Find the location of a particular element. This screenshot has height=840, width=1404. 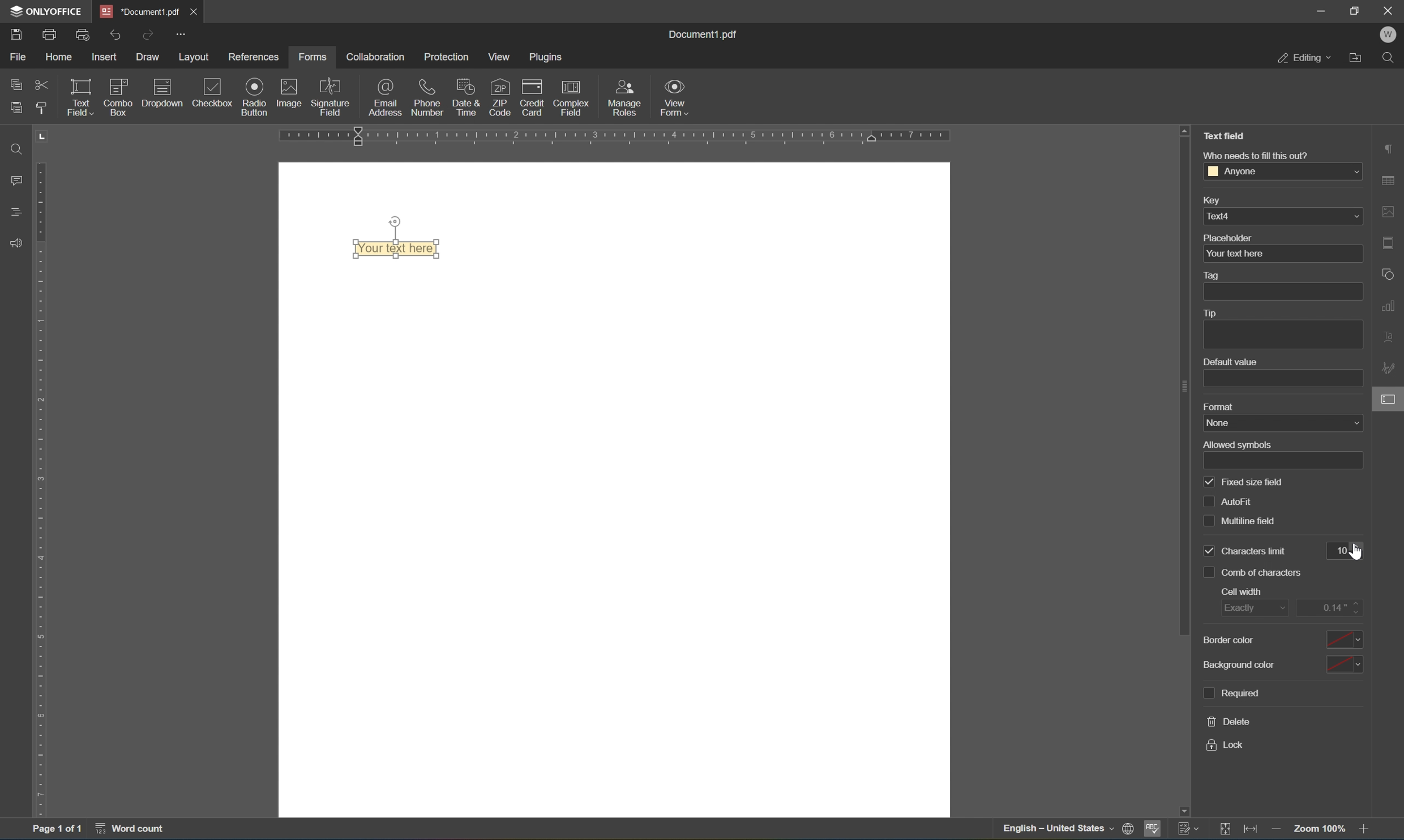

plugins is located at coordinates (544, 57).